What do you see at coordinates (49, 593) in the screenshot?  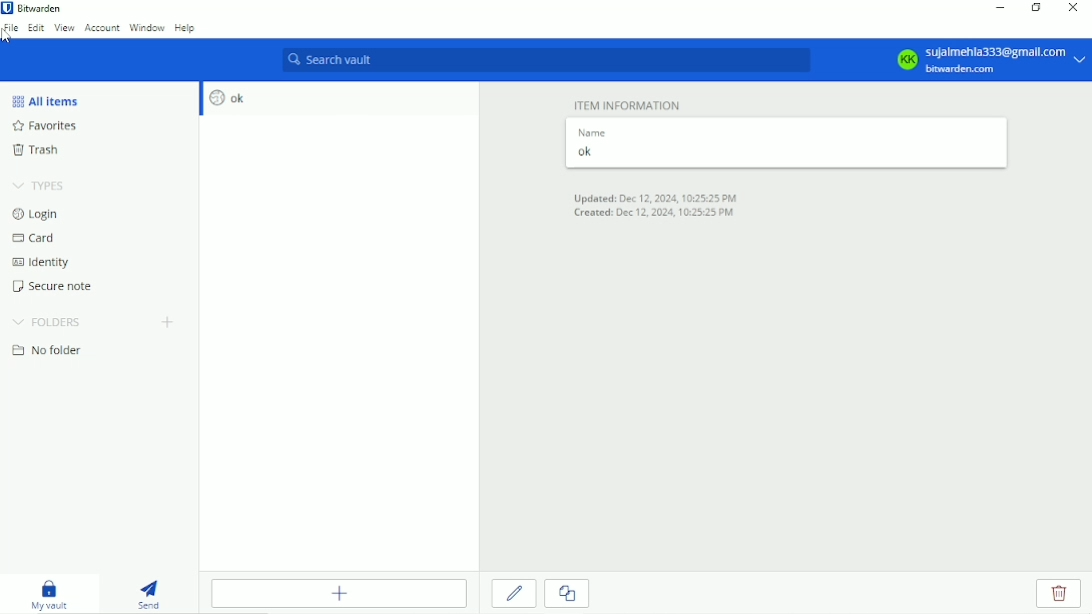 I see `My vault` at bounding box center [49, 593].